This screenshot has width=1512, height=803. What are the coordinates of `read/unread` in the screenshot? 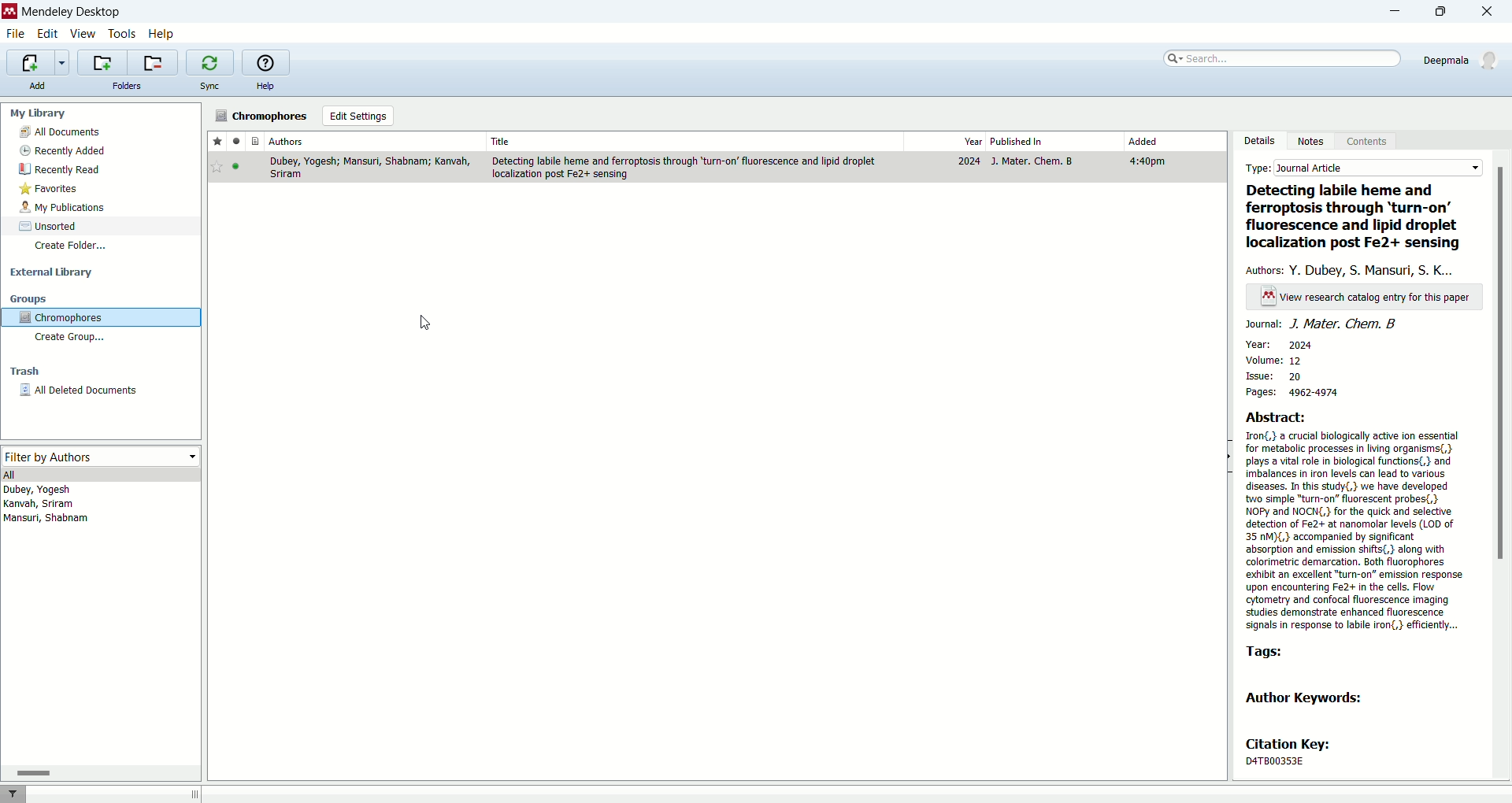 It's located at (234, 141).